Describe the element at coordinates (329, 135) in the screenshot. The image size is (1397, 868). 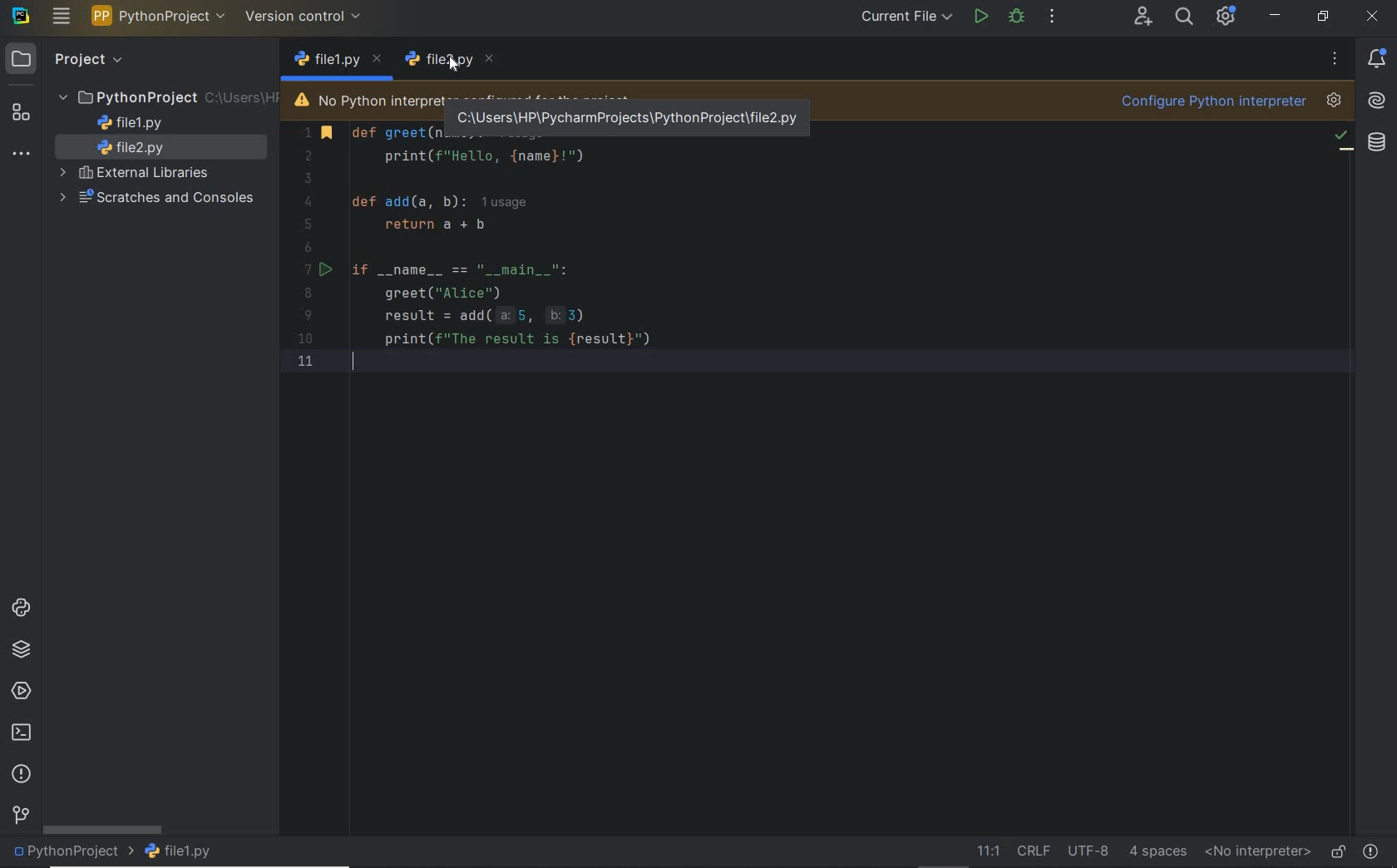
I see `bookmark added` at that location.